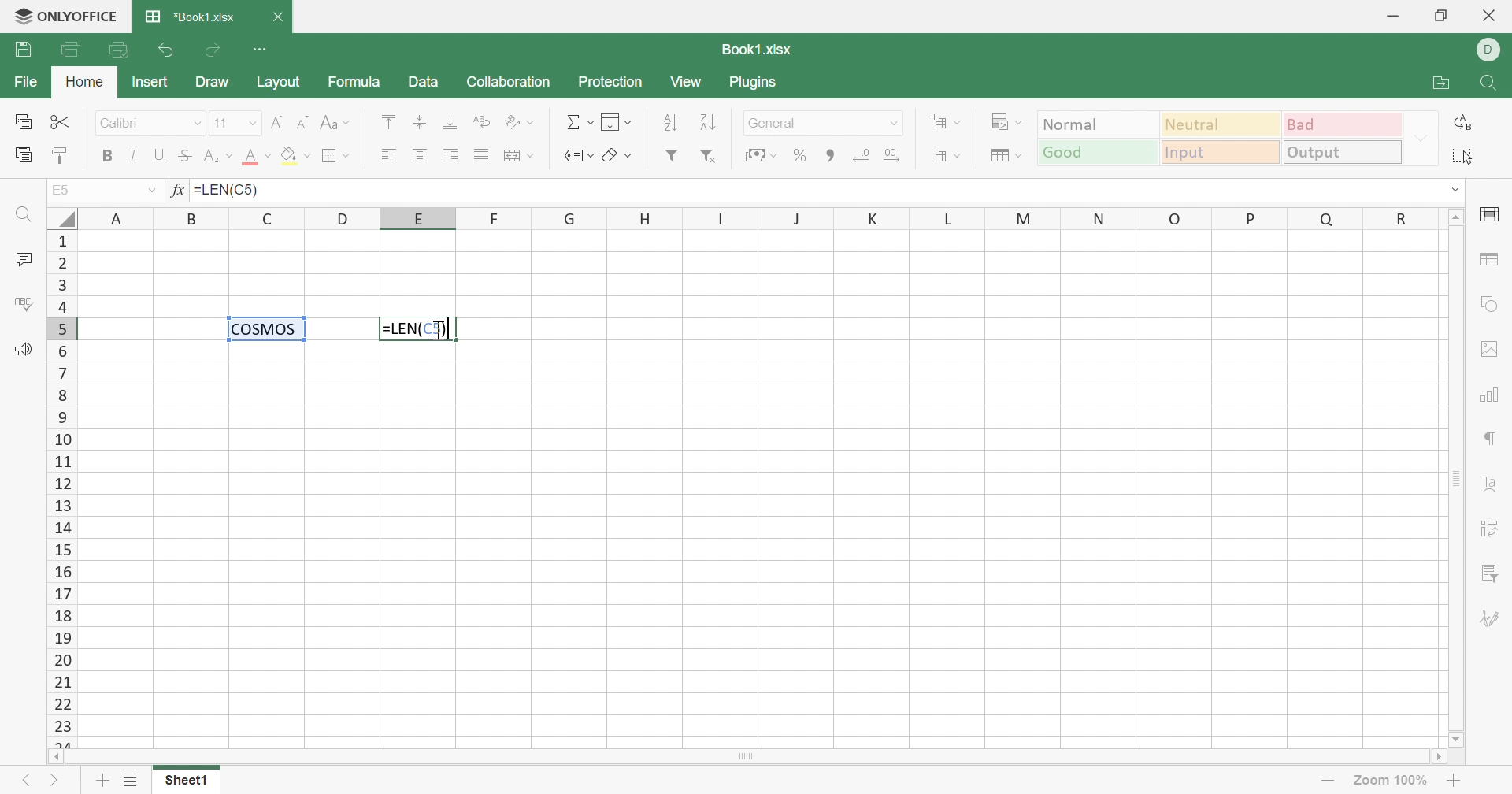 The width and height of the screenshot is (1512, 794). Describe the element at coordinates (834, 156) in the screenshot. I see `Comma style` at that location.